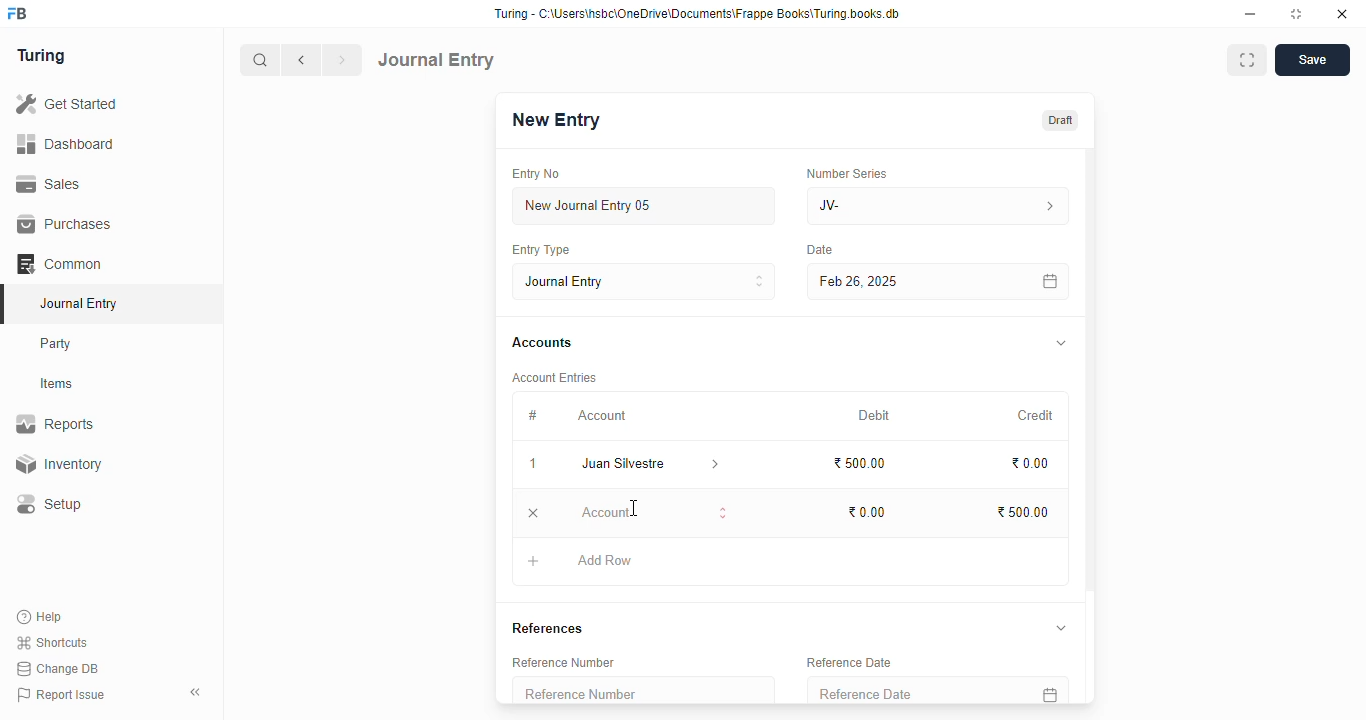 This screenshot has width=1366, height=720. I want to click on Turing - C:\Users\hsbc\OneDrive\Documents\Frappe Books\Turing books.db, so click(696, 14).